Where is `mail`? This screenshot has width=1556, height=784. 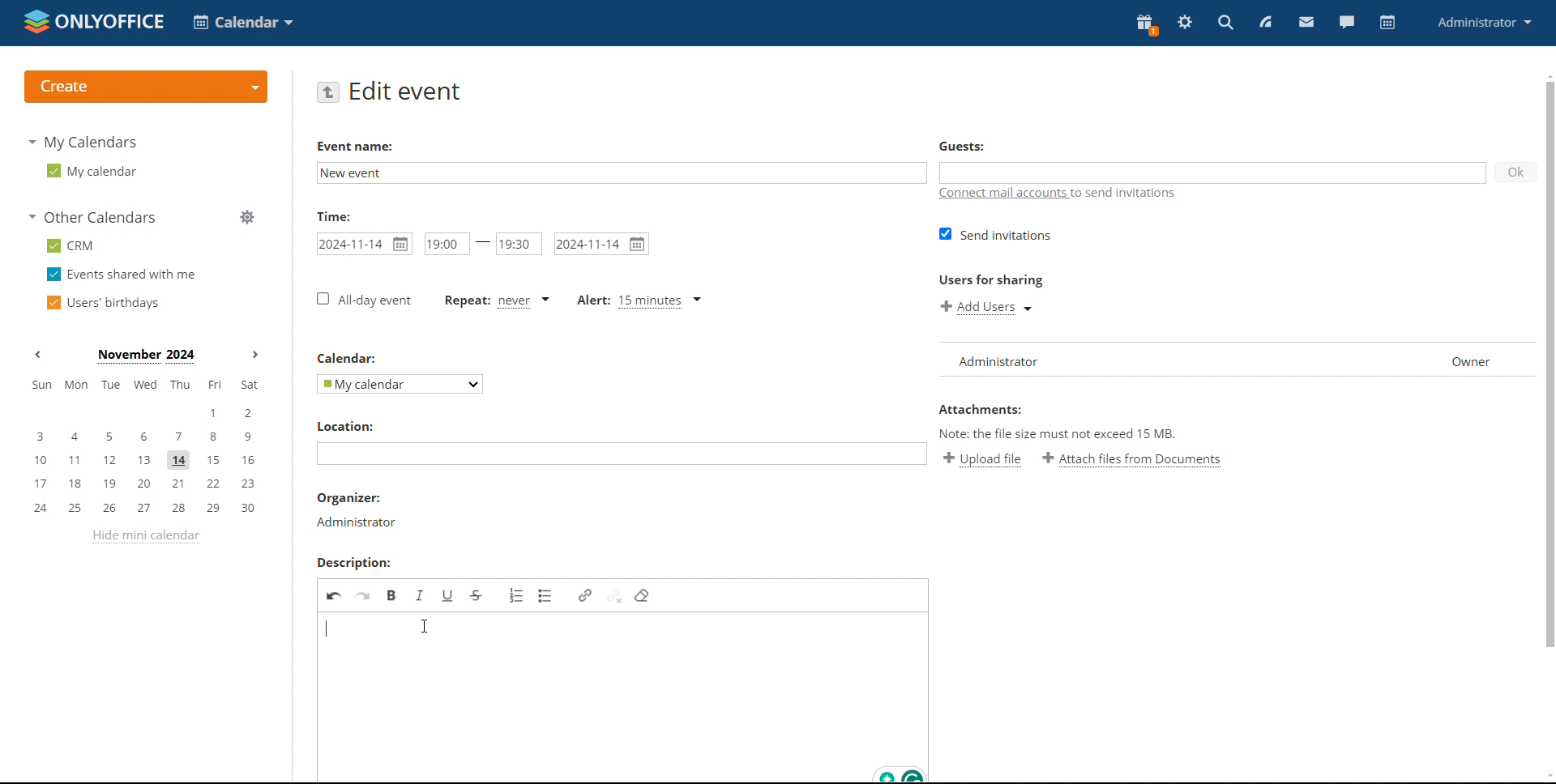
mail is located at coordinates (1306, 23).